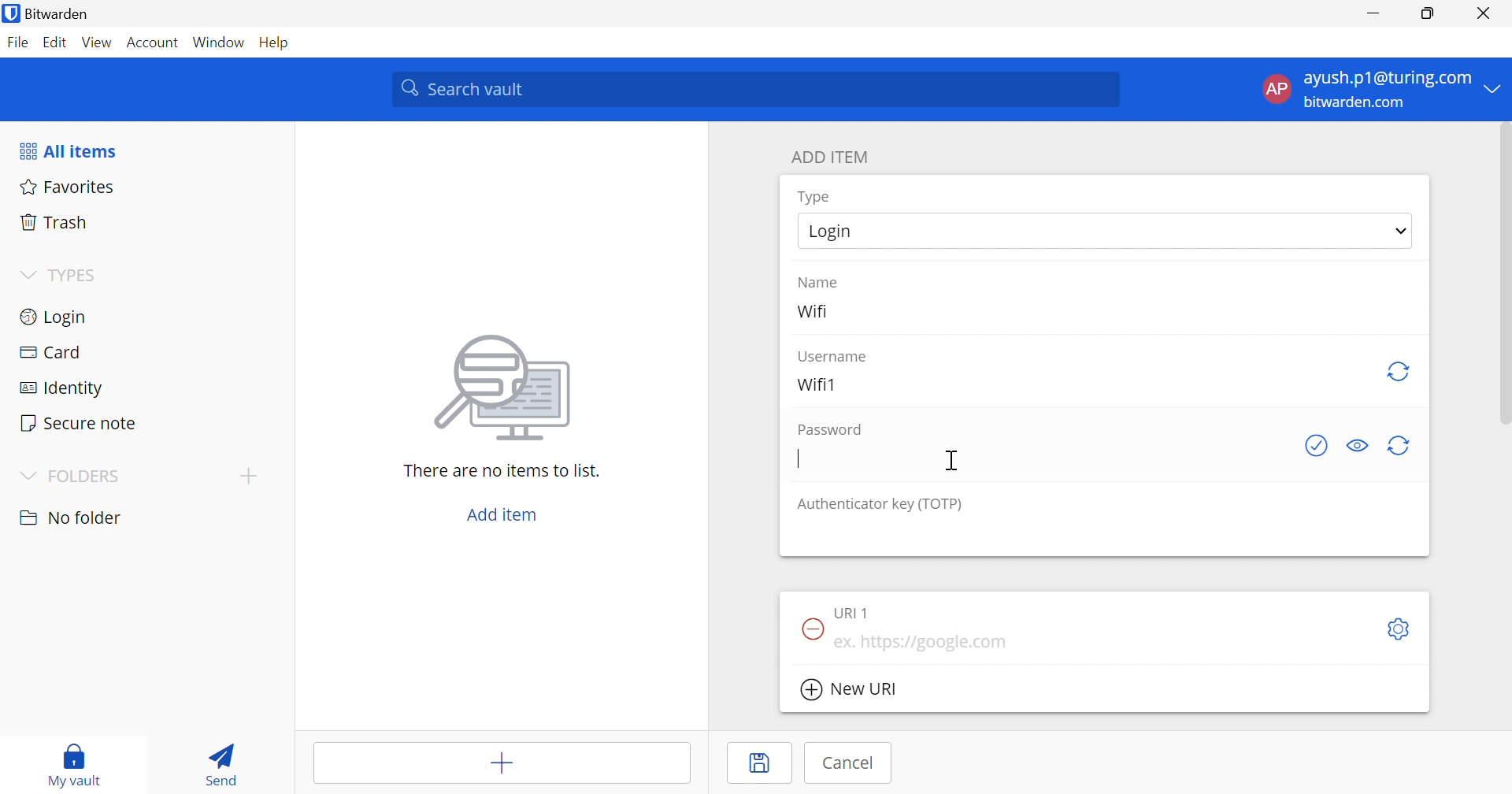  Describe the element at coordinates (50, 352) in the screenshot. I see `Card` at that location.